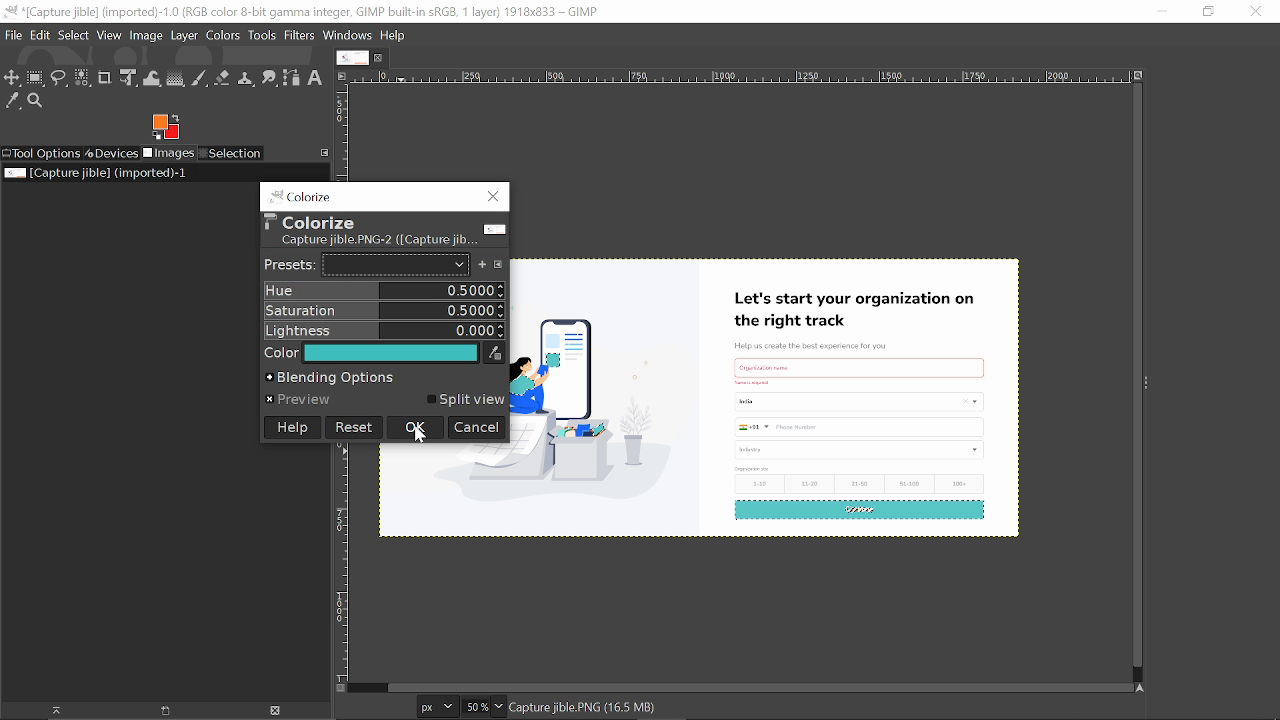 The width and height of the screenshot is (1280, 720). What do you see at coordinates (342, 131) in the screenshot?
I see `vertical label` at bounding box center [342, 131].